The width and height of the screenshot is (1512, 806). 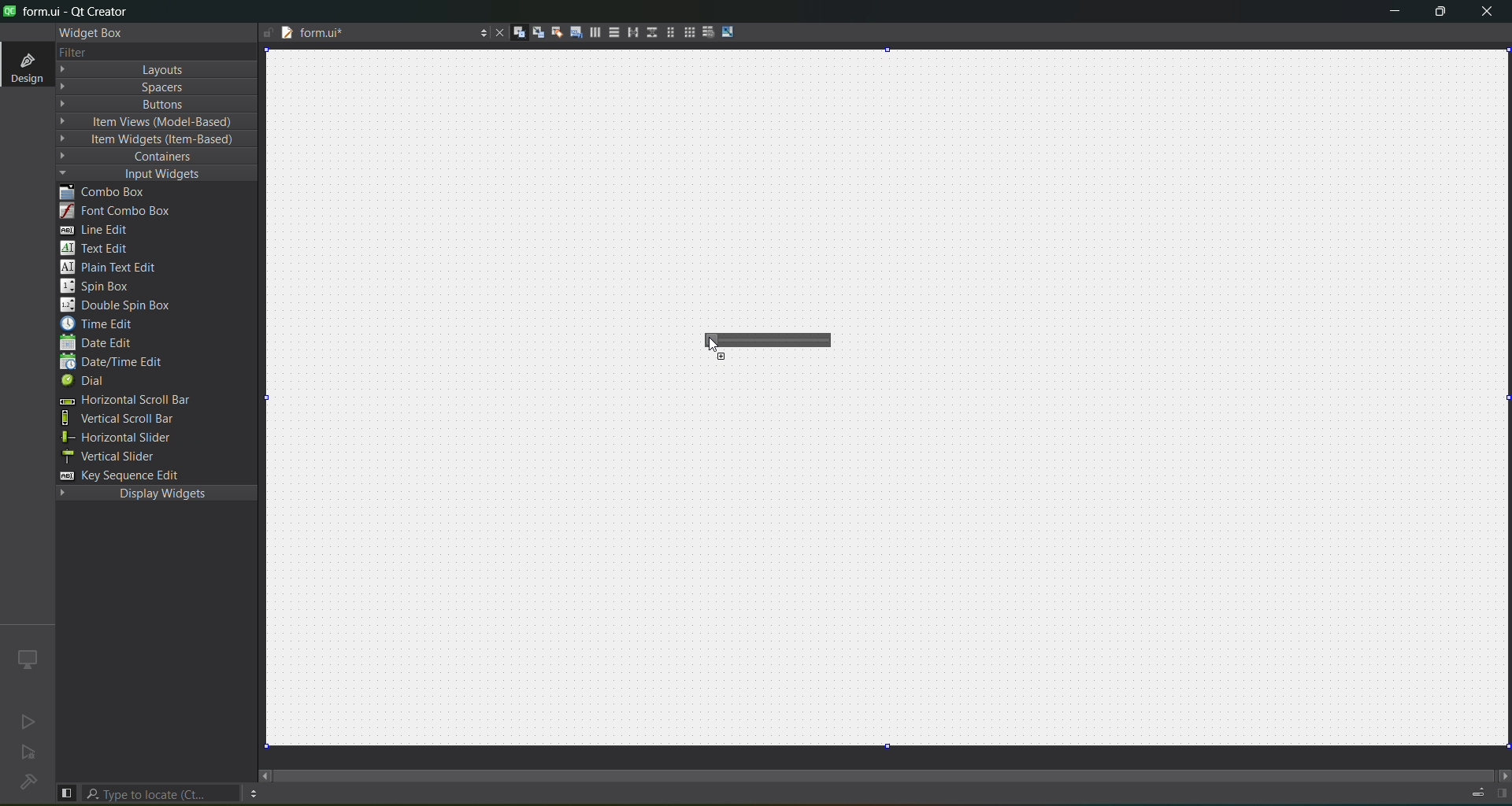 I want to click on options, so click(x=478, y=34).